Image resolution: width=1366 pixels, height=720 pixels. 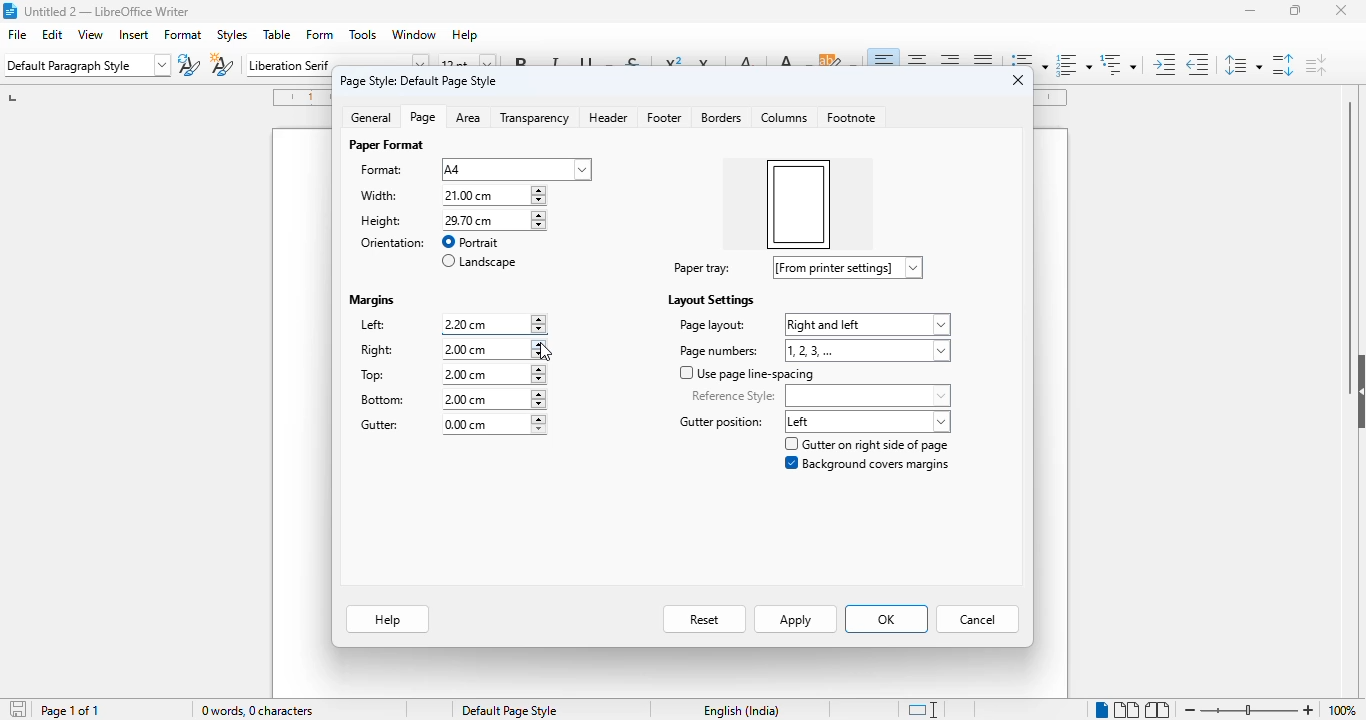 What do you see at coordinates (1284, 65) in the screenshot?
I see `increase paragraph spacing` at bounding box center [1284, 65].